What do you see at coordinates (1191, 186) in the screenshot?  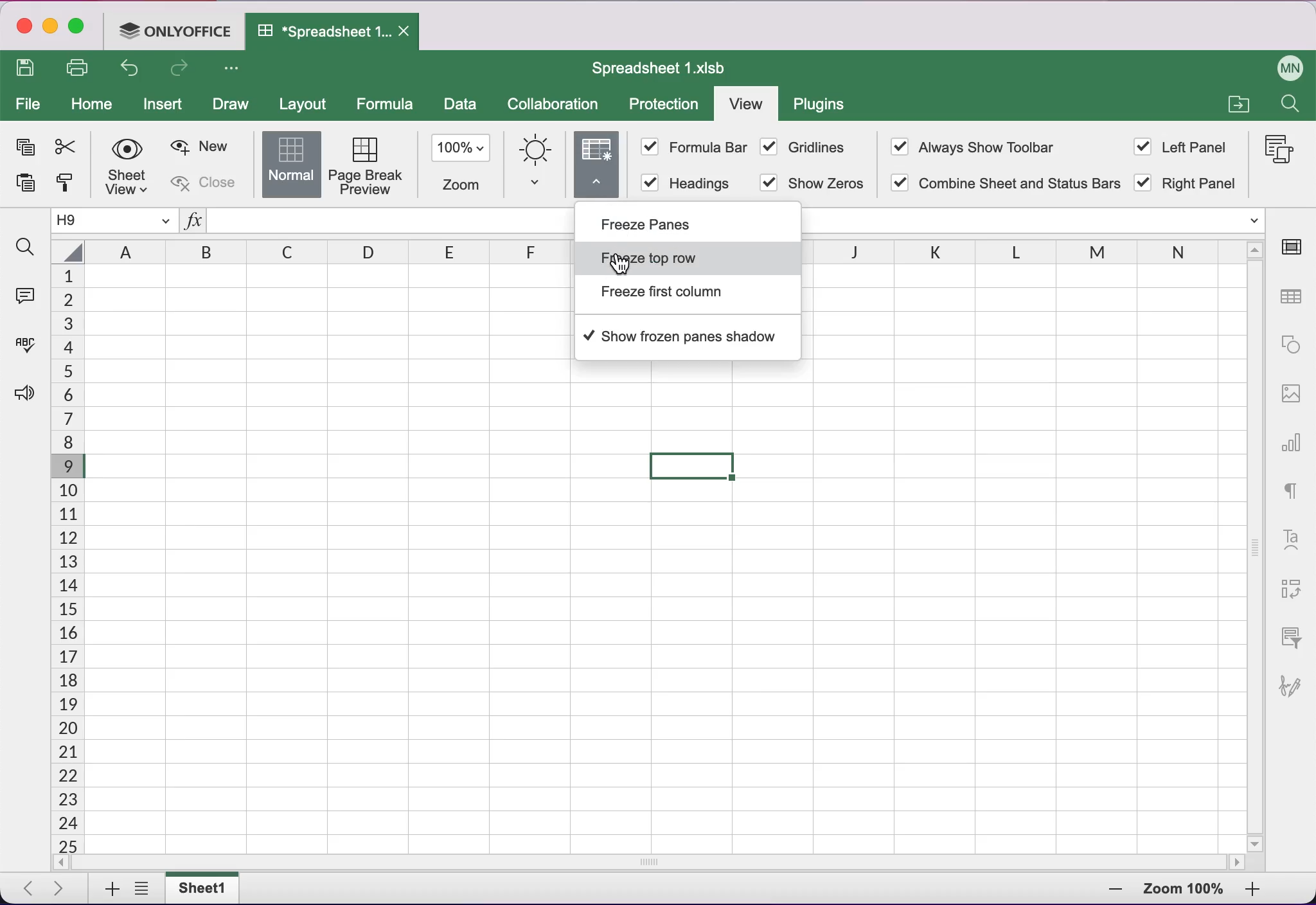 I see `right panel` at bounding box center [1191, 186].